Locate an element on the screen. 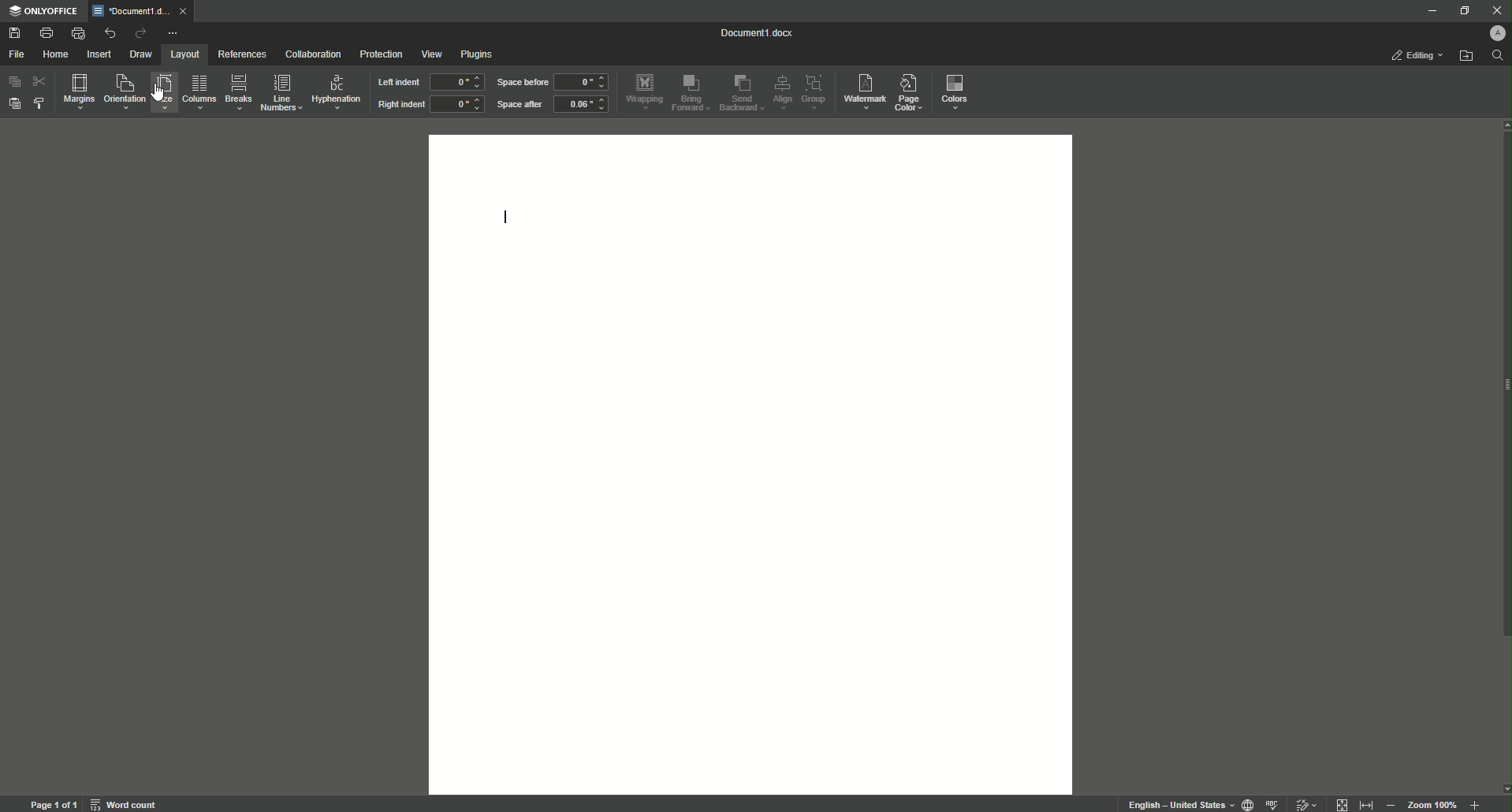 The height and width of the screenshot is (812, 1512). Paste is located at coordinates (16, 106).